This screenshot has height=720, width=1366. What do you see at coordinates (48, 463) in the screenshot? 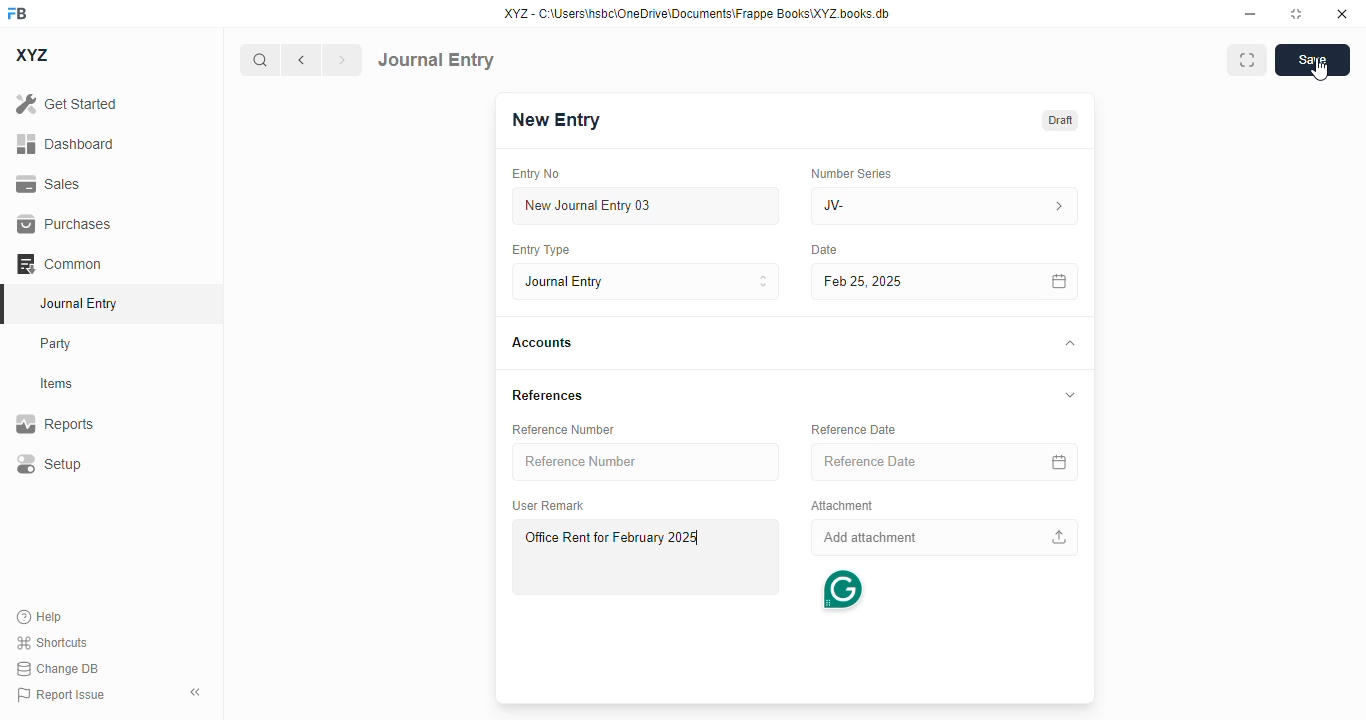
I see `setup` at bounding box center [48, 463].